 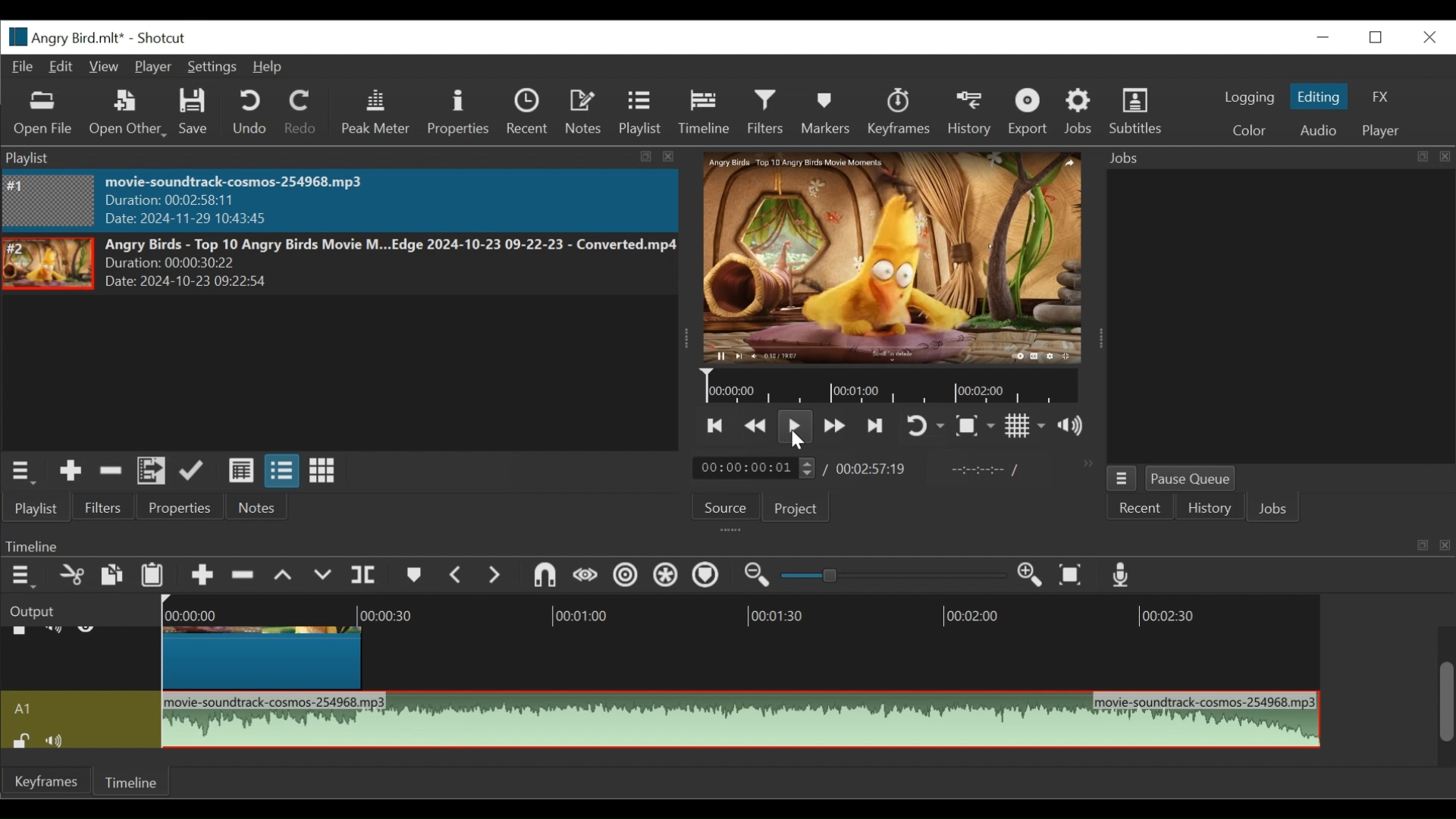 I want to click on Scrollbar, so click(x=1446, y=686).